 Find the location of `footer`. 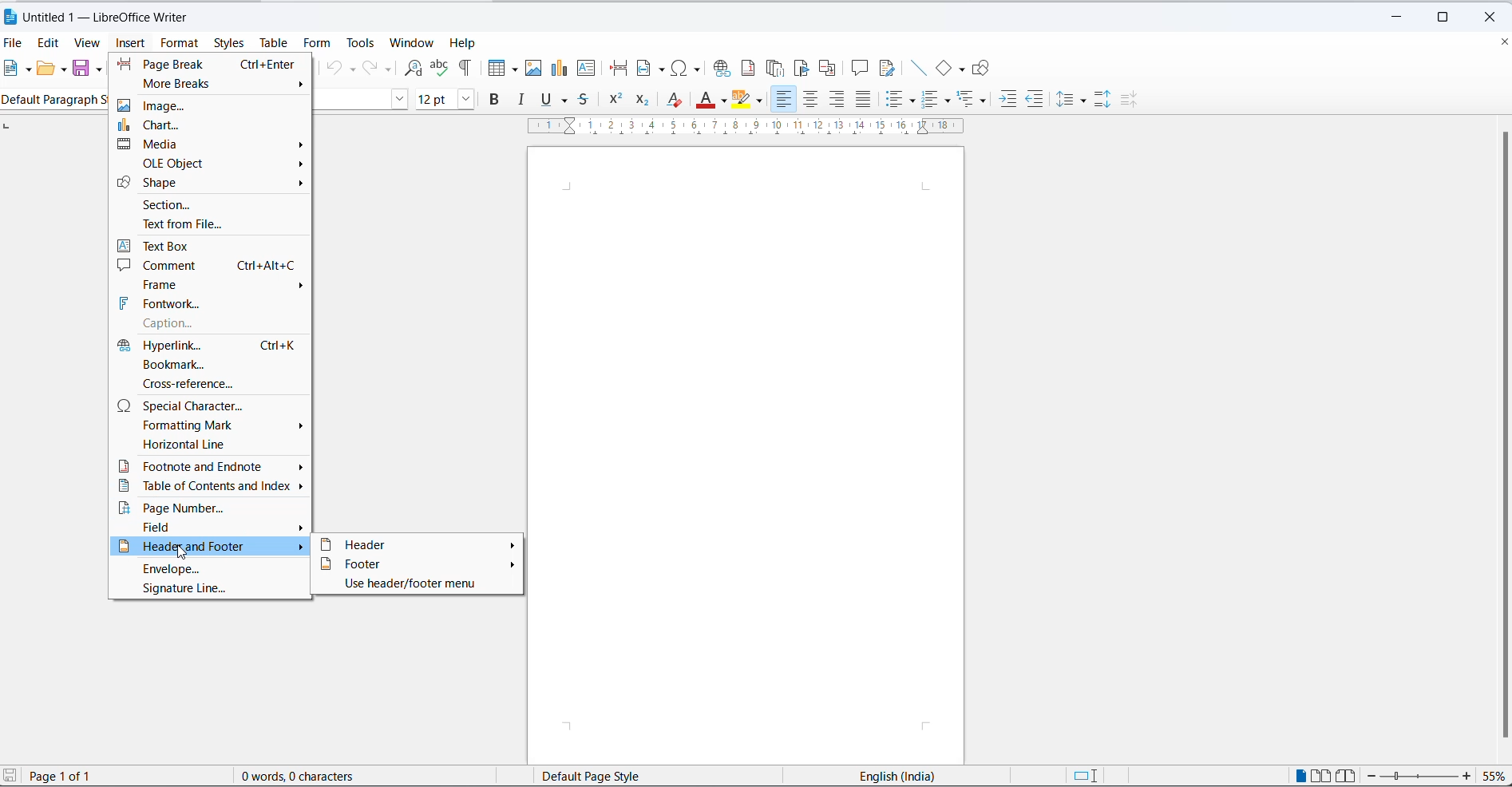

footer is located at coordinates (417, 563).